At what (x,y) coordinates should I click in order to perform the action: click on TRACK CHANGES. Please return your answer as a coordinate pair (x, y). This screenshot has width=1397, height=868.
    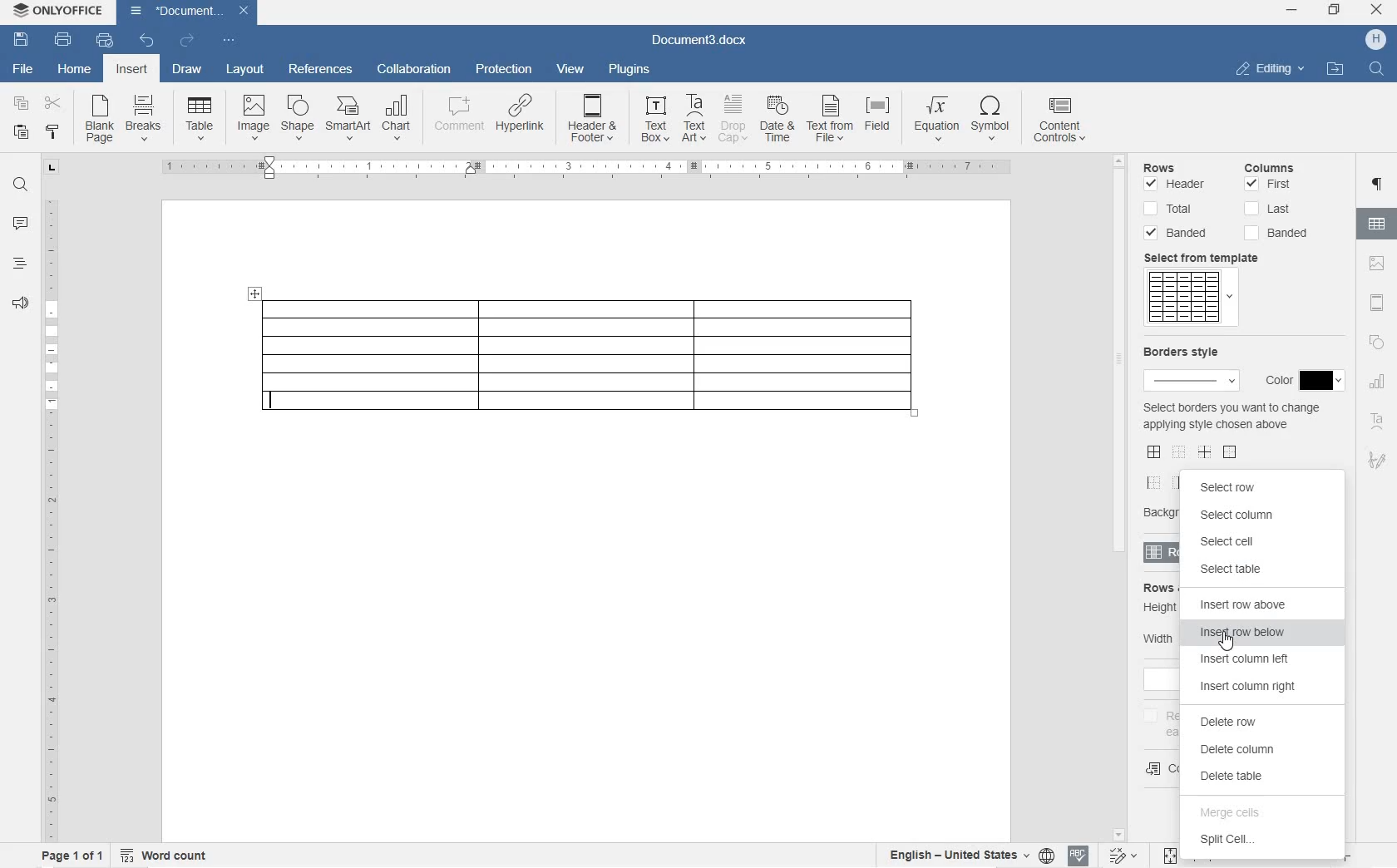
    Looking at the image, I should click on (1119, 857).